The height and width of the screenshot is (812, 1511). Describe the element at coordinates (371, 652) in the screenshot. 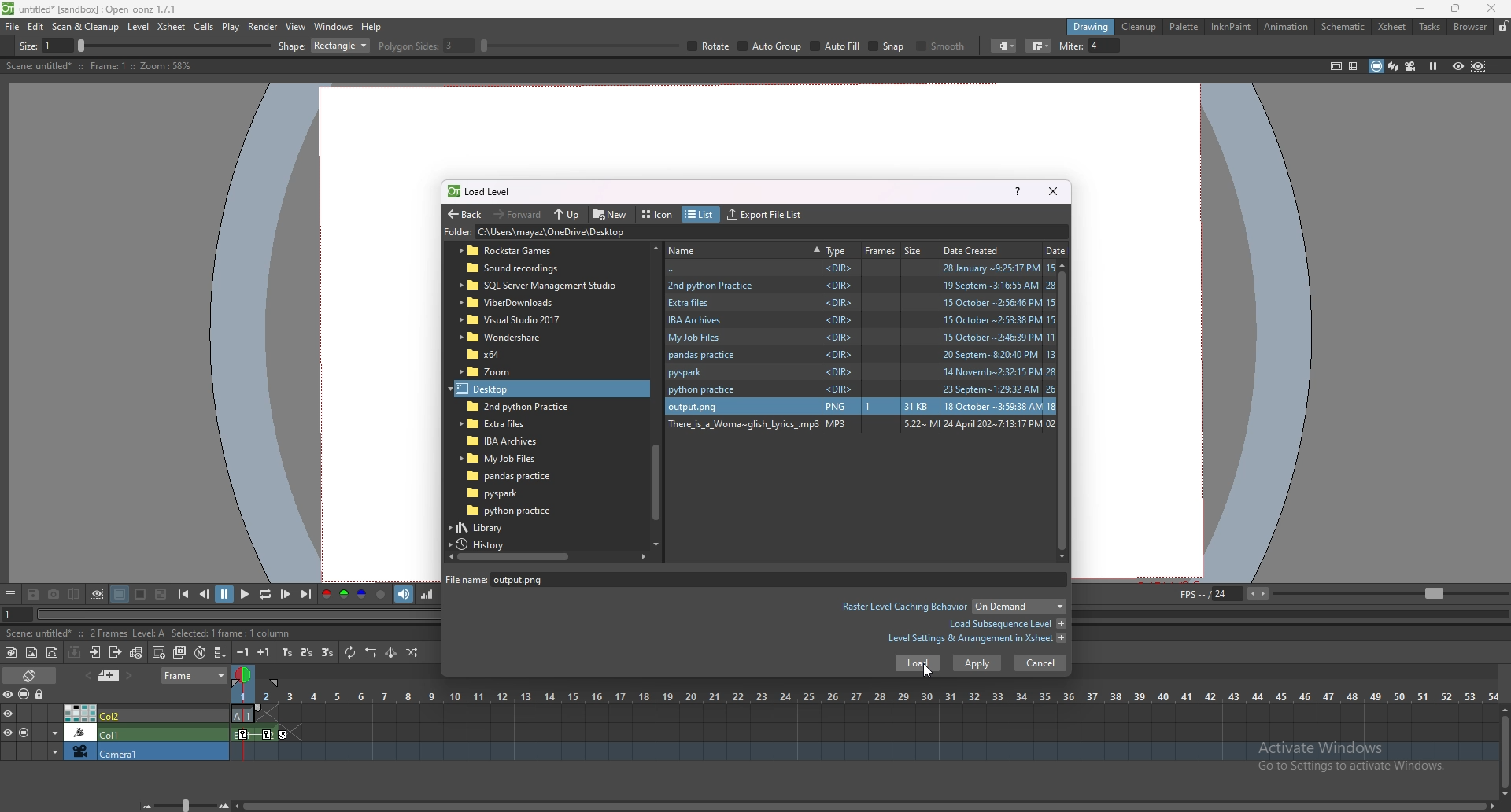

I see `reverse` at that location.